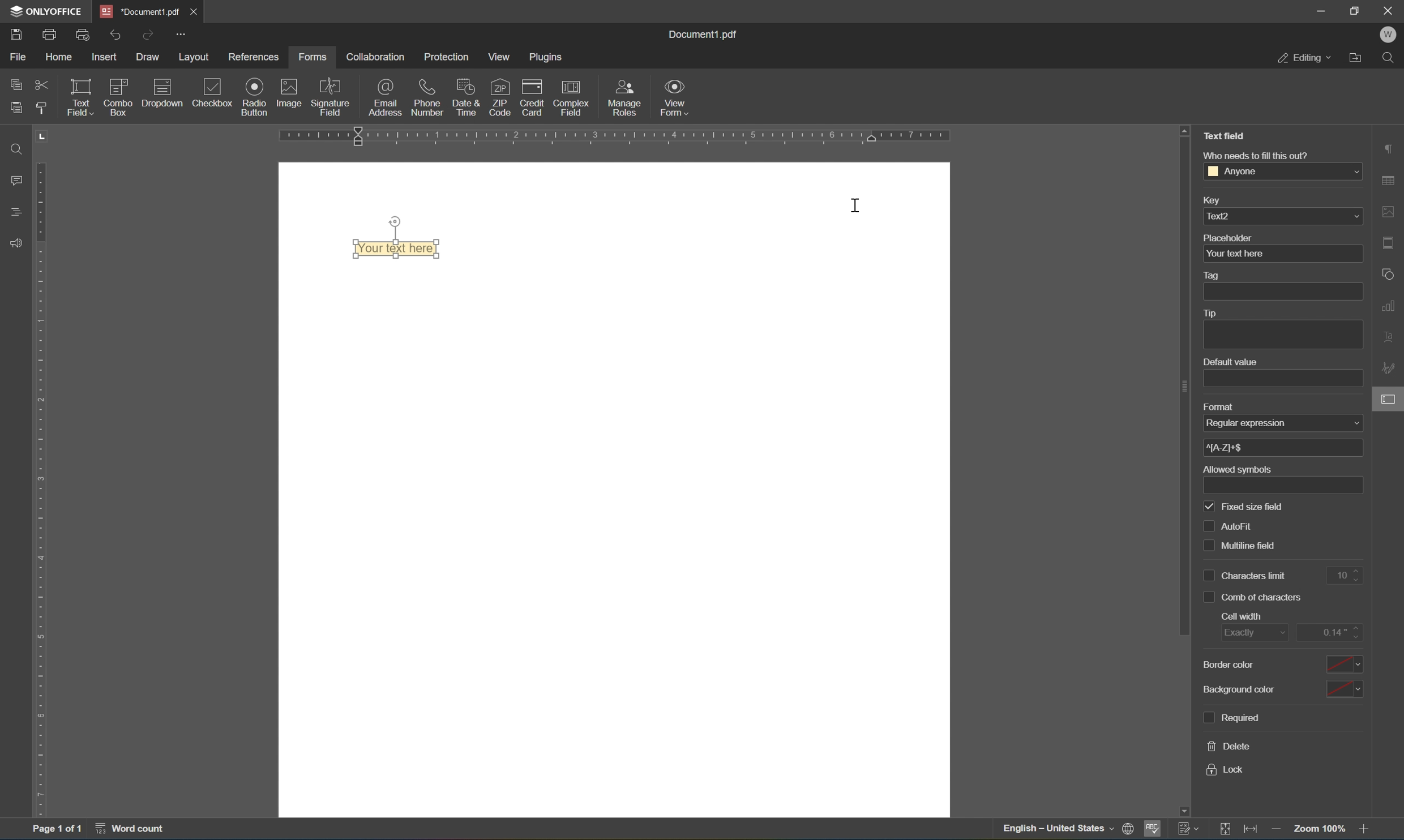 Image resolution: width=1404 pixels, height=840 pixels. Describe the element at coordinates (448, 57) in the screenshot. I see `protection` at that location.